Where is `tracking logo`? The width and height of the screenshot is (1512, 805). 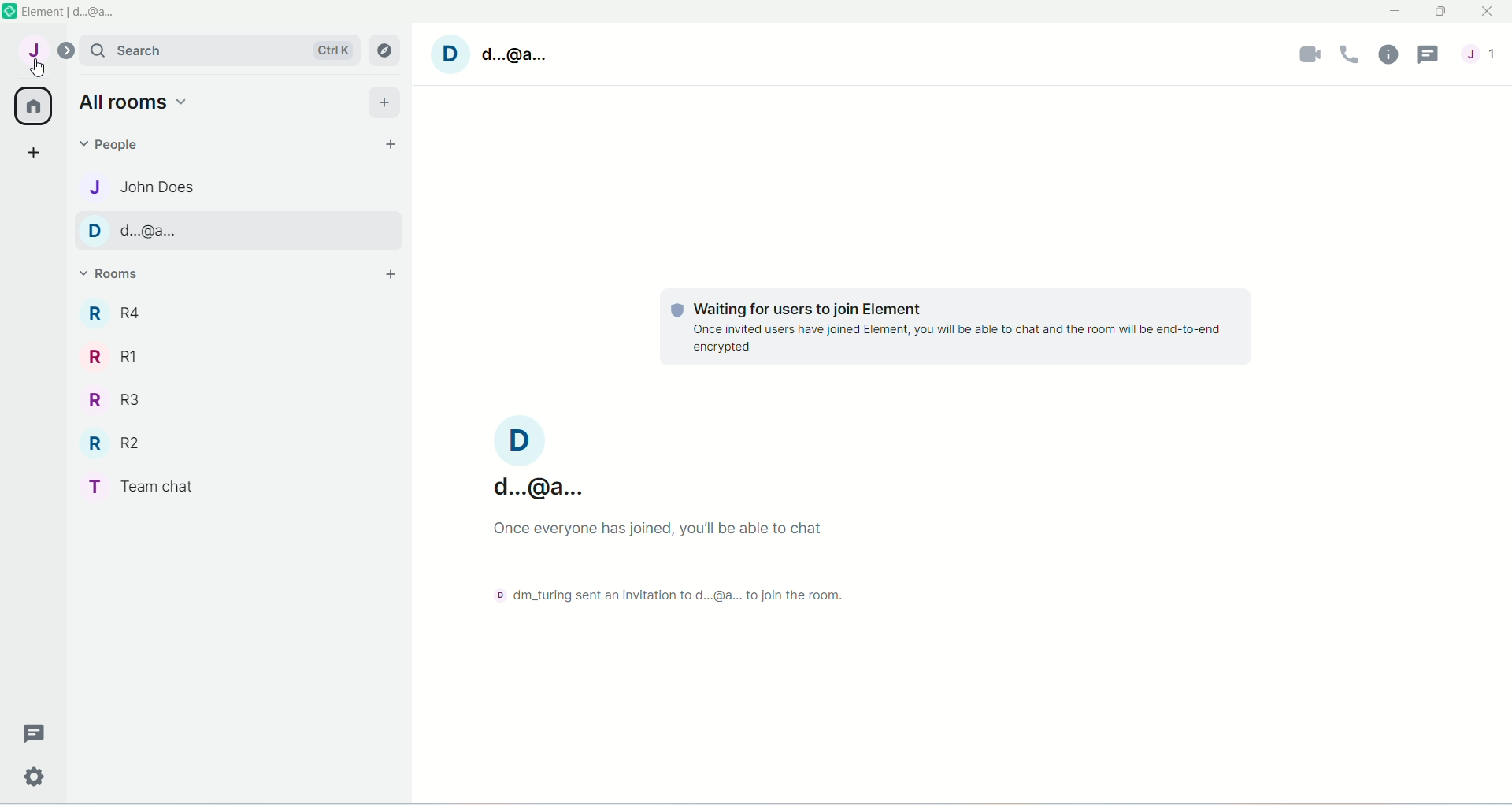
tracking logo is located at coordinates (675, 310).